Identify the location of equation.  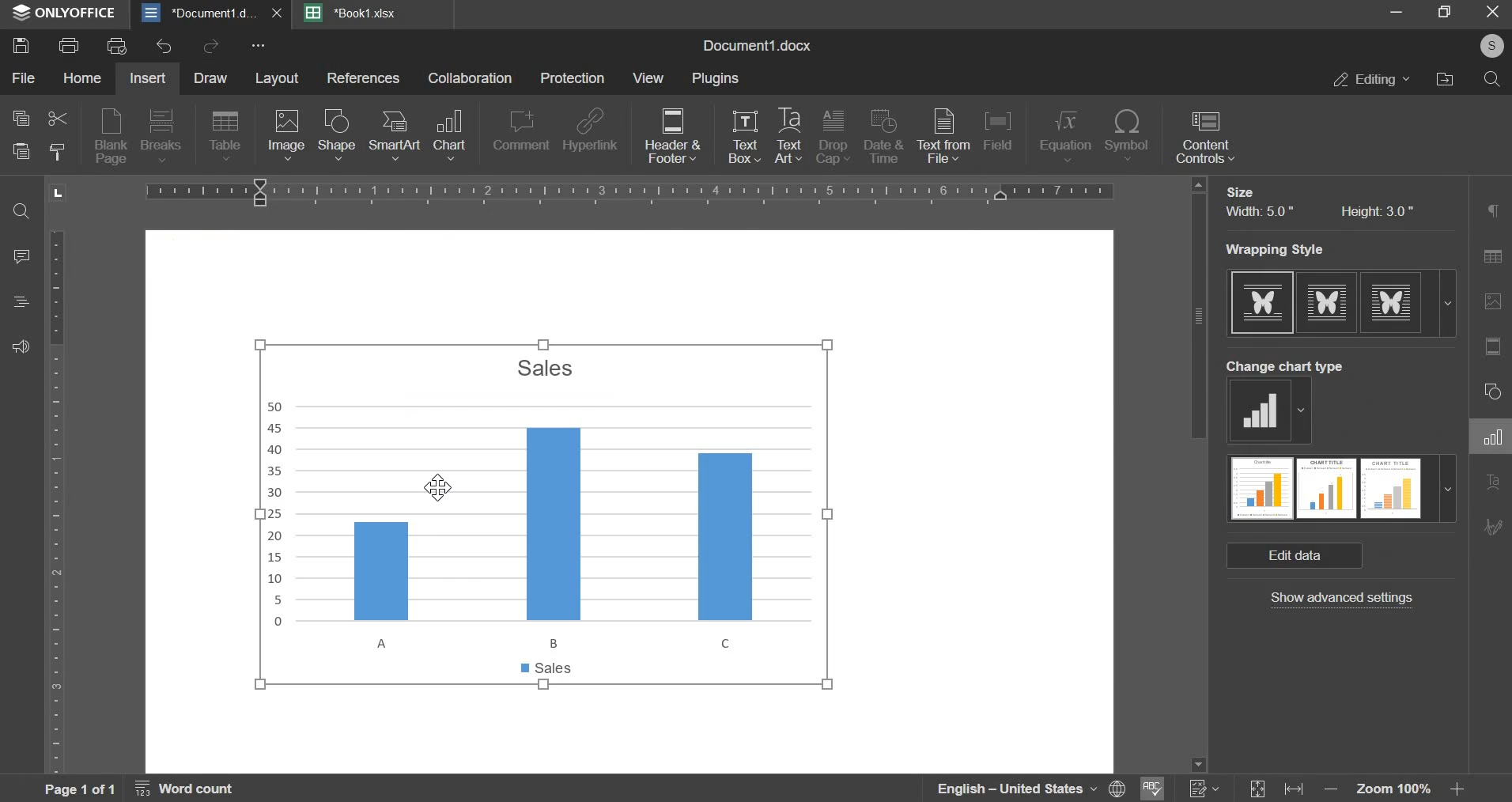
(1064, 138).